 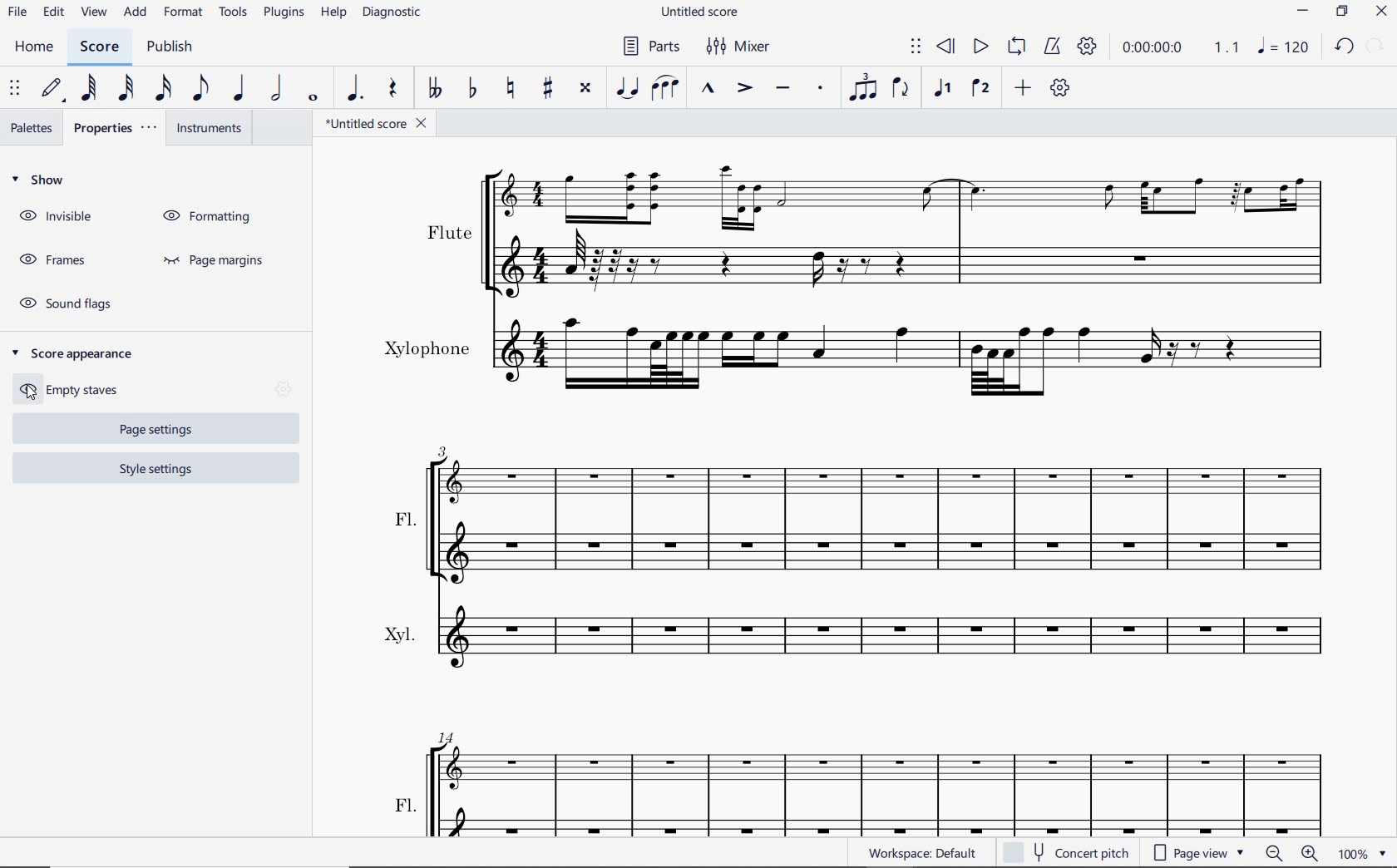 What do you see at coordinates (69, 390) in the screenshot?
I see `EMPTY STAVES` at bounding box center [69, 390].